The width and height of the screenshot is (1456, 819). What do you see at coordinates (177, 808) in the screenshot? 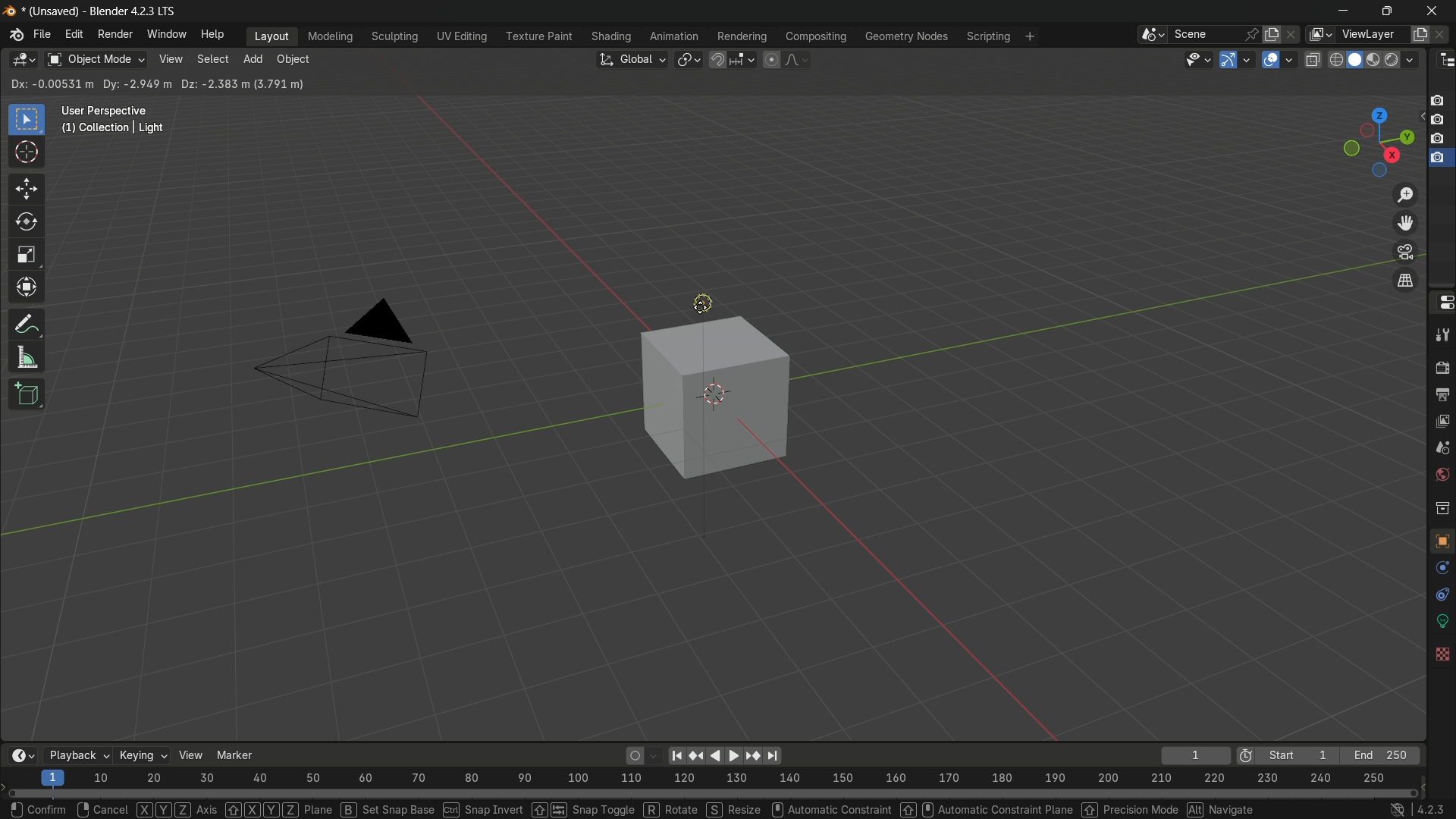
I see `axis` at bounding box center [177, 808].